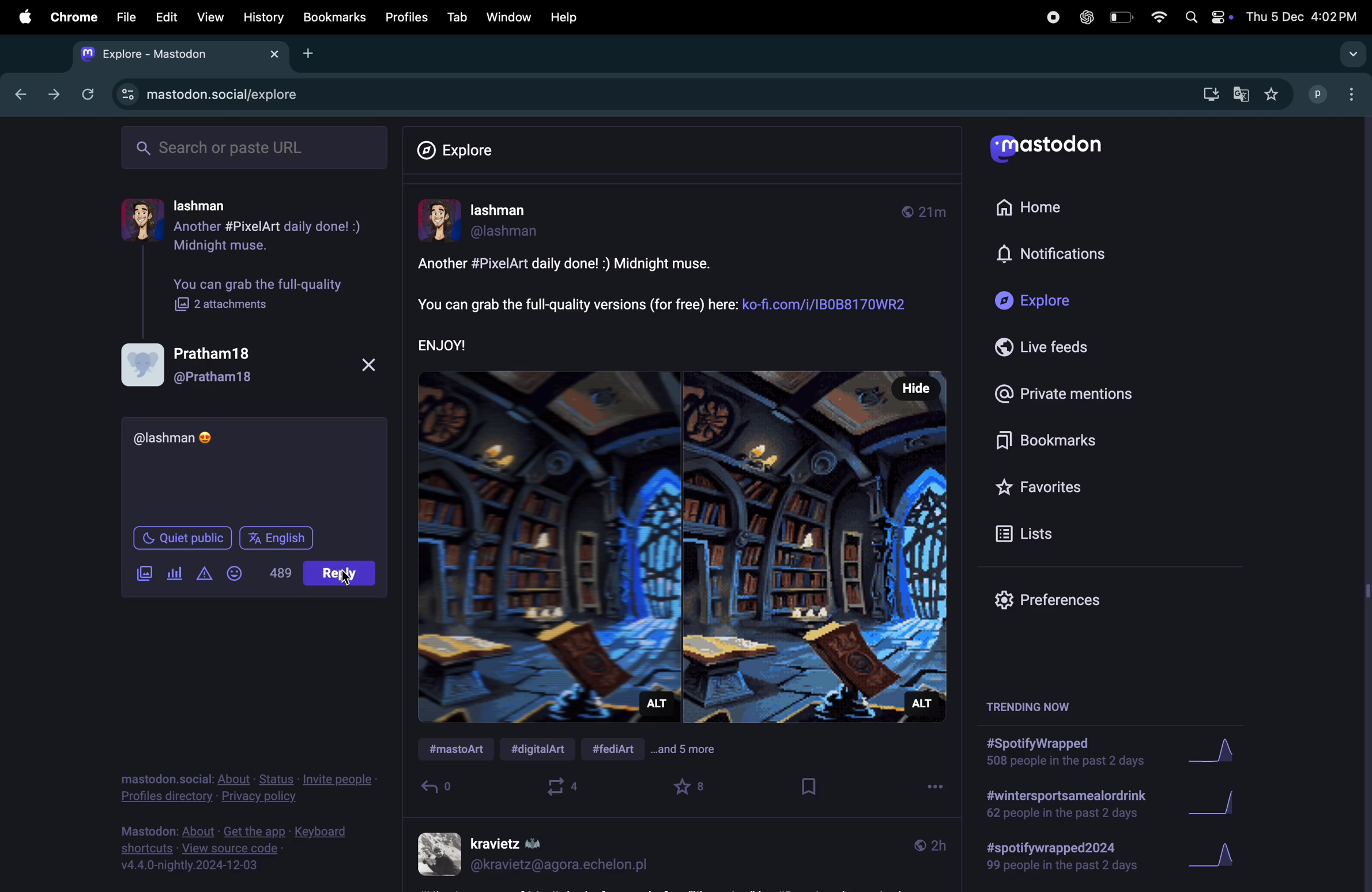  I want to click on Alt description, so click(921, 702).